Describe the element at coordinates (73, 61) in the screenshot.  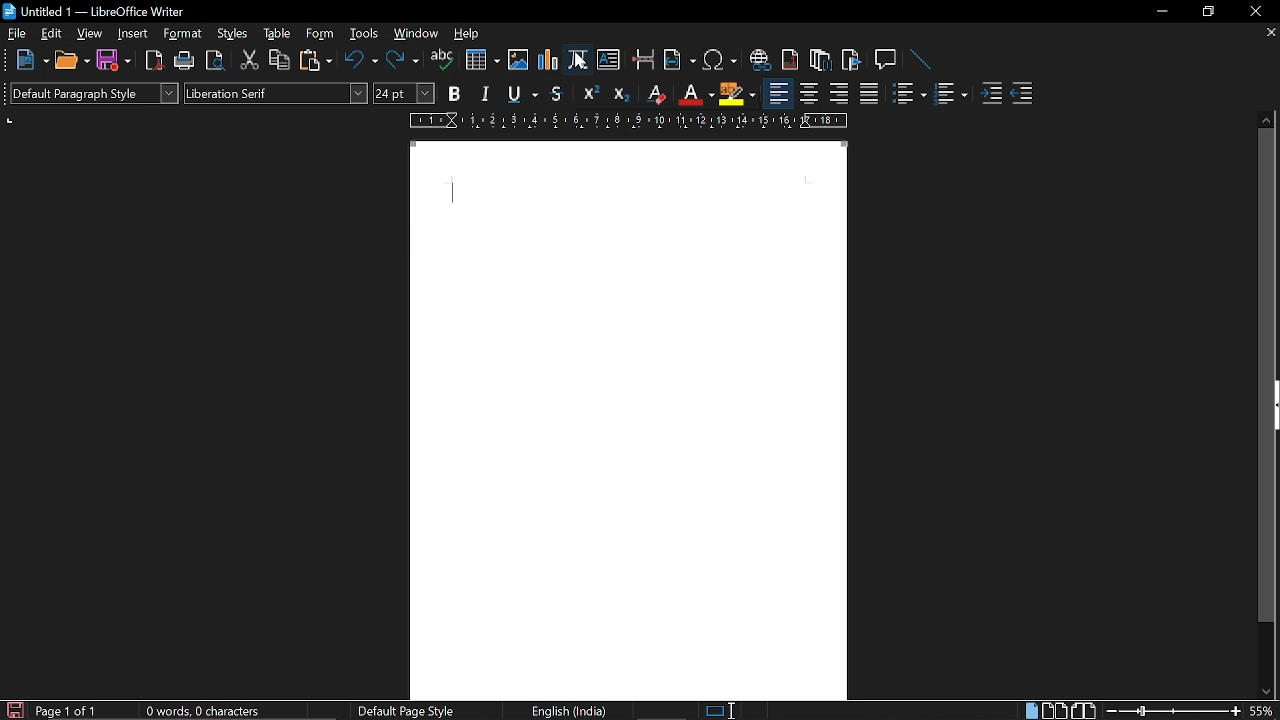
I see `open` at that location.